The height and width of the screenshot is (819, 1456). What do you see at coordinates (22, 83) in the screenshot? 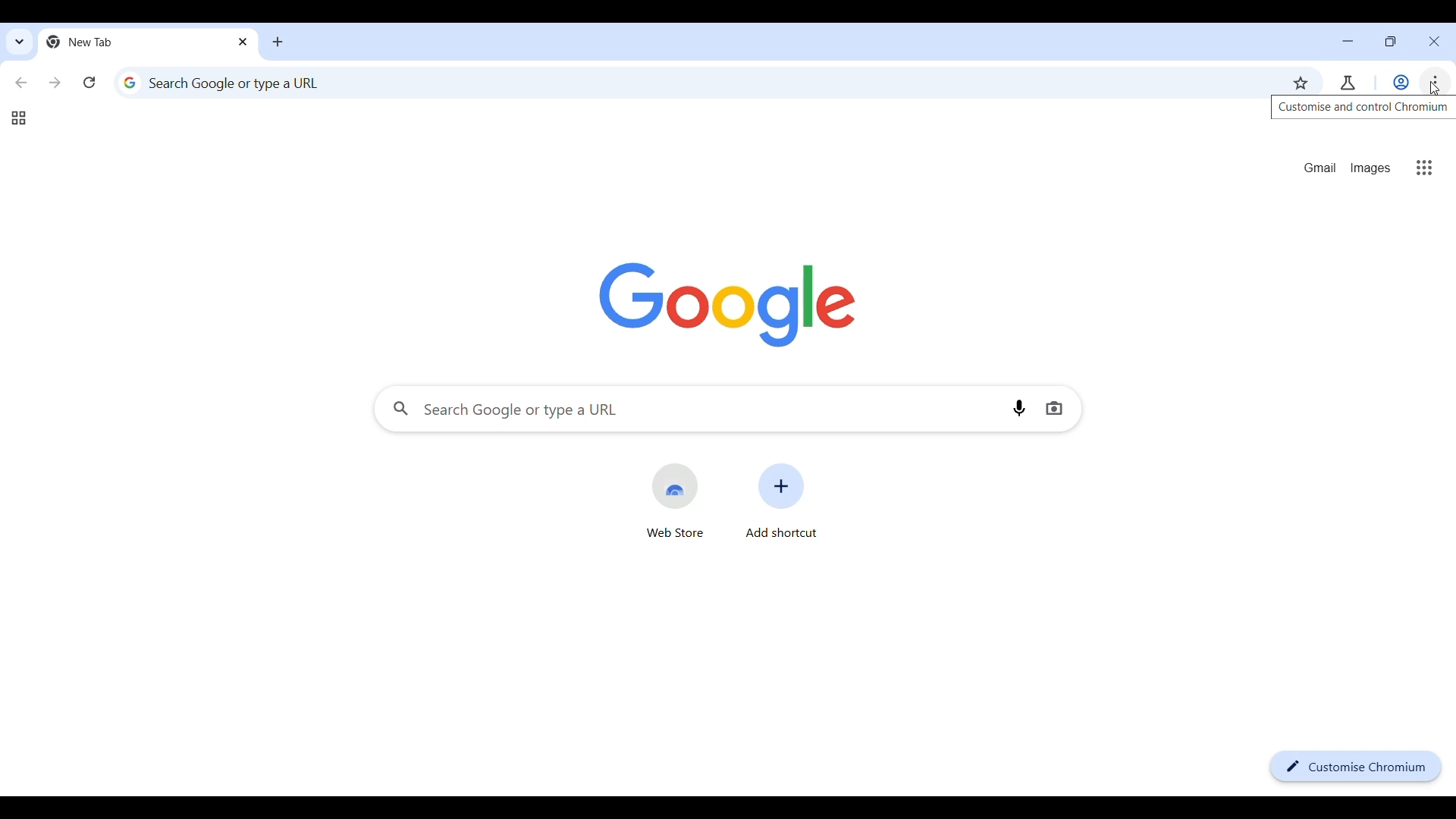
I see `Go back` at bounding box center [22, 83].